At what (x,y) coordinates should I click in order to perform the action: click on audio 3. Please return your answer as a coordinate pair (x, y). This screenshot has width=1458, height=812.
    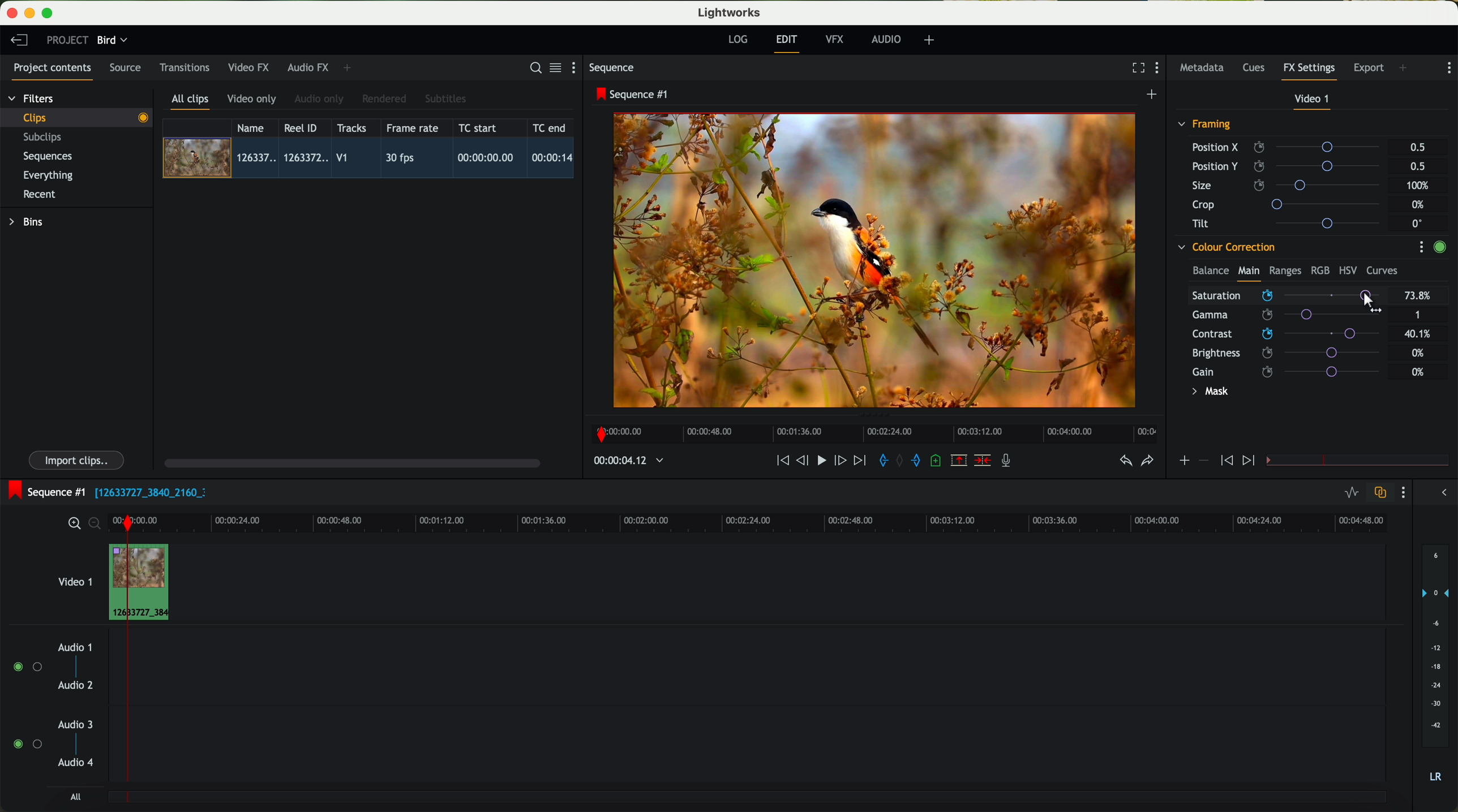
    Looking at the image, I should click on (70, 724).